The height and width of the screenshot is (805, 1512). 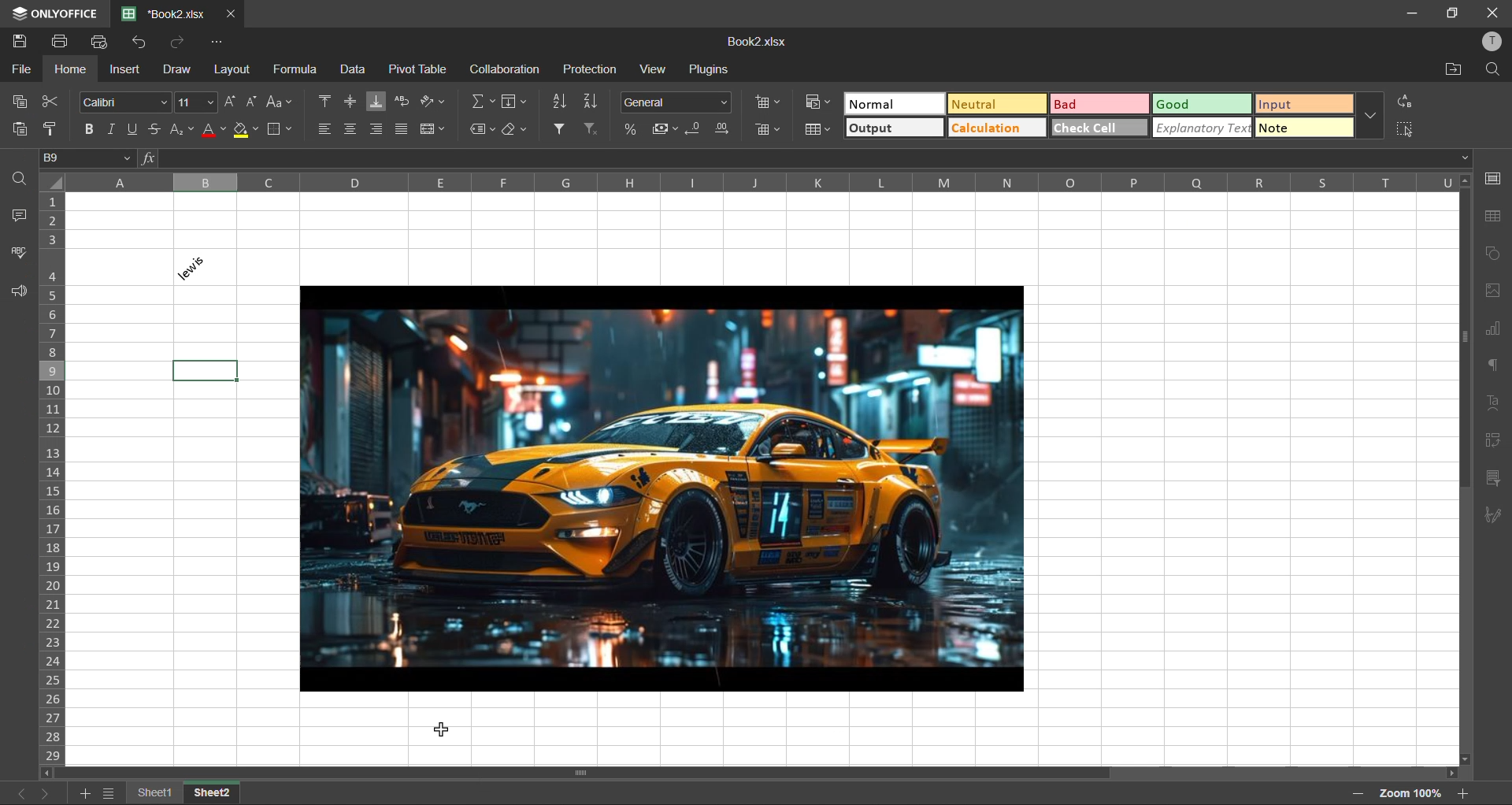 I want to click on find, so click(x=19, y=177).